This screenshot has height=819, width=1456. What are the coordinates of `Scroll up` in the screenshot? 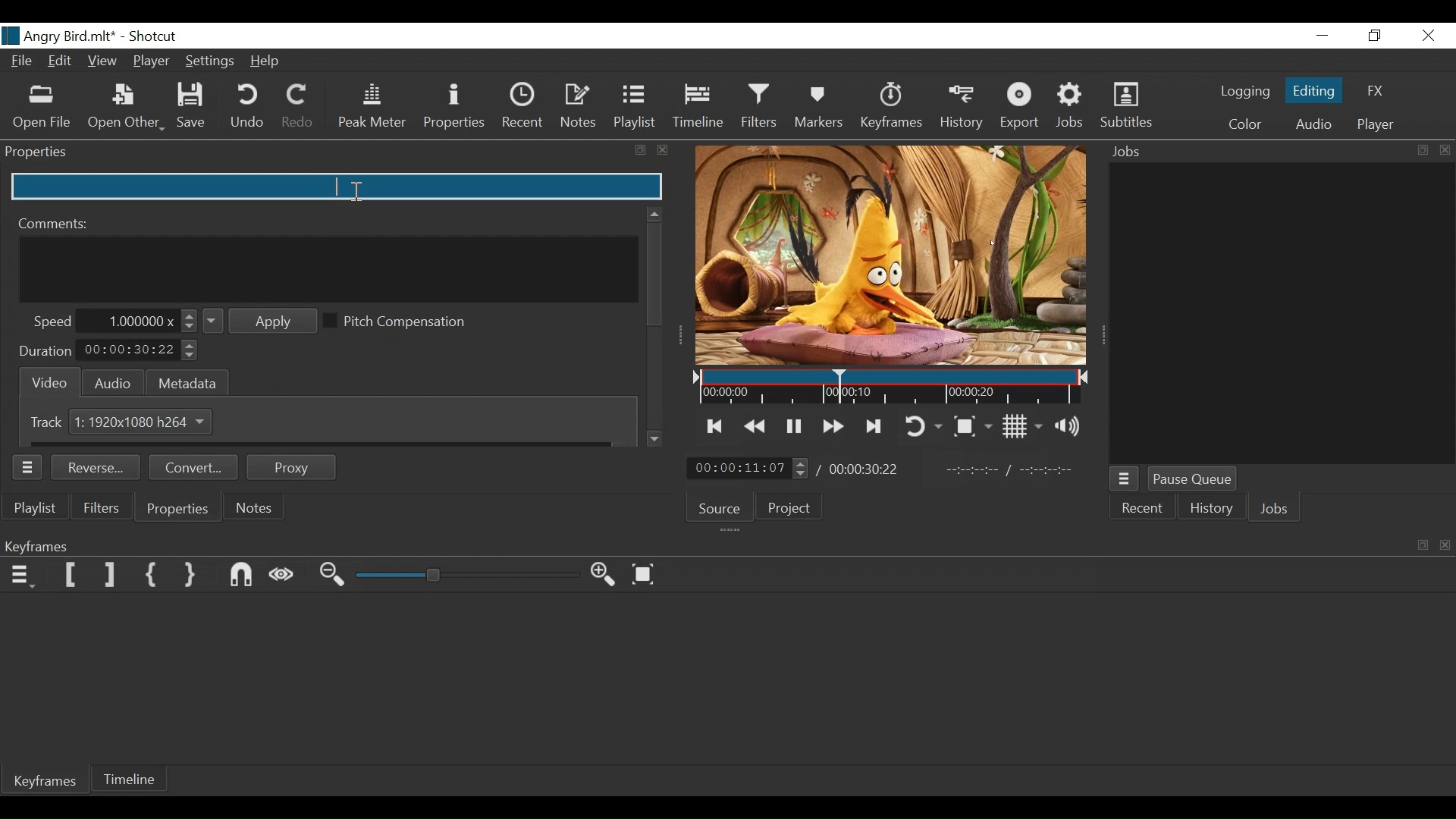 It's located at (652, 211).